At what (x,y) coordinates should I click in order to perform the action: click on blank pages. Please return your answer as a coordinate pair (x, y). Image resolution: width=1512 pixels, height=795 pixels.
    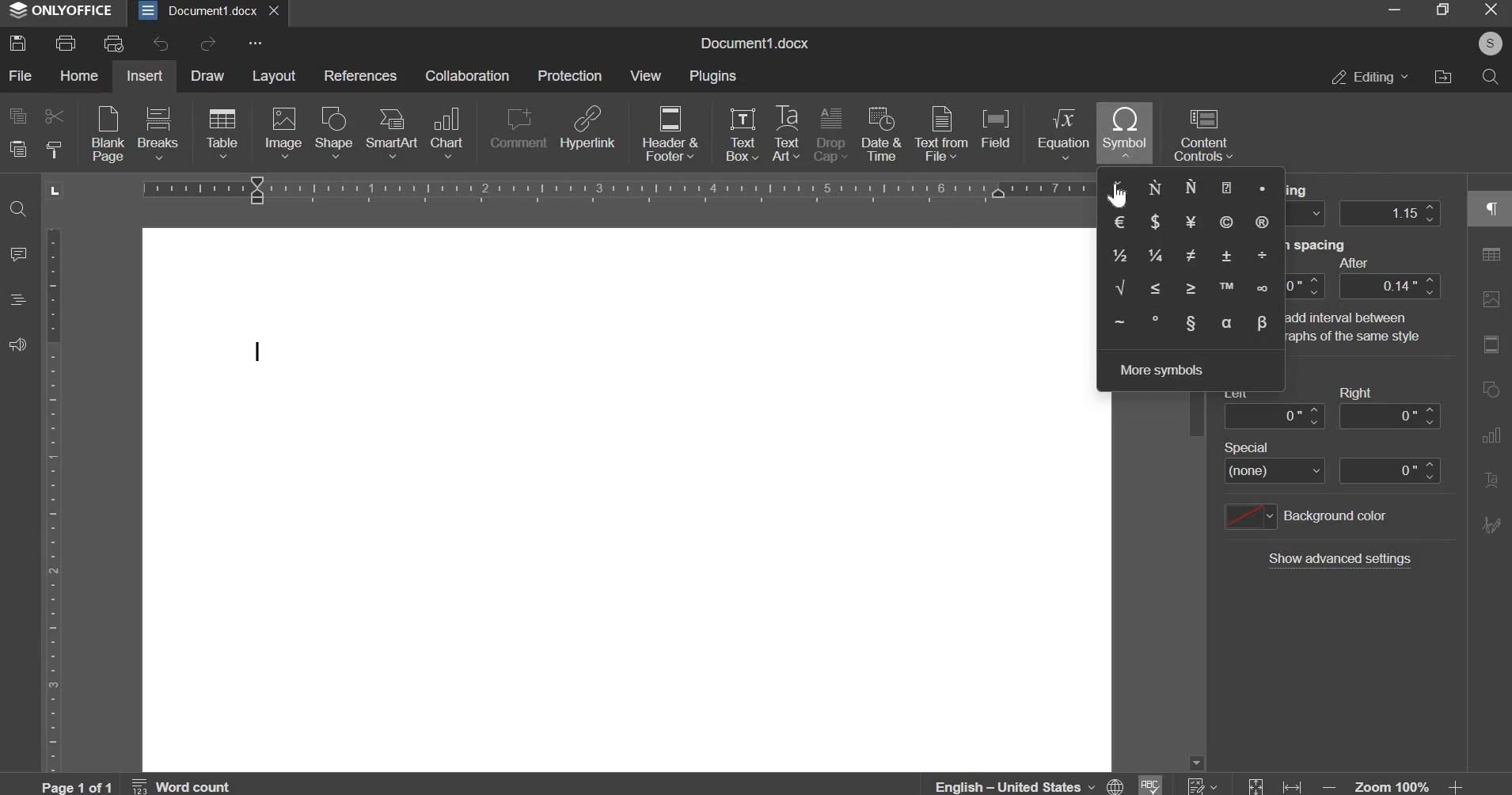
    Looking at the image, I should click on (107, 132).